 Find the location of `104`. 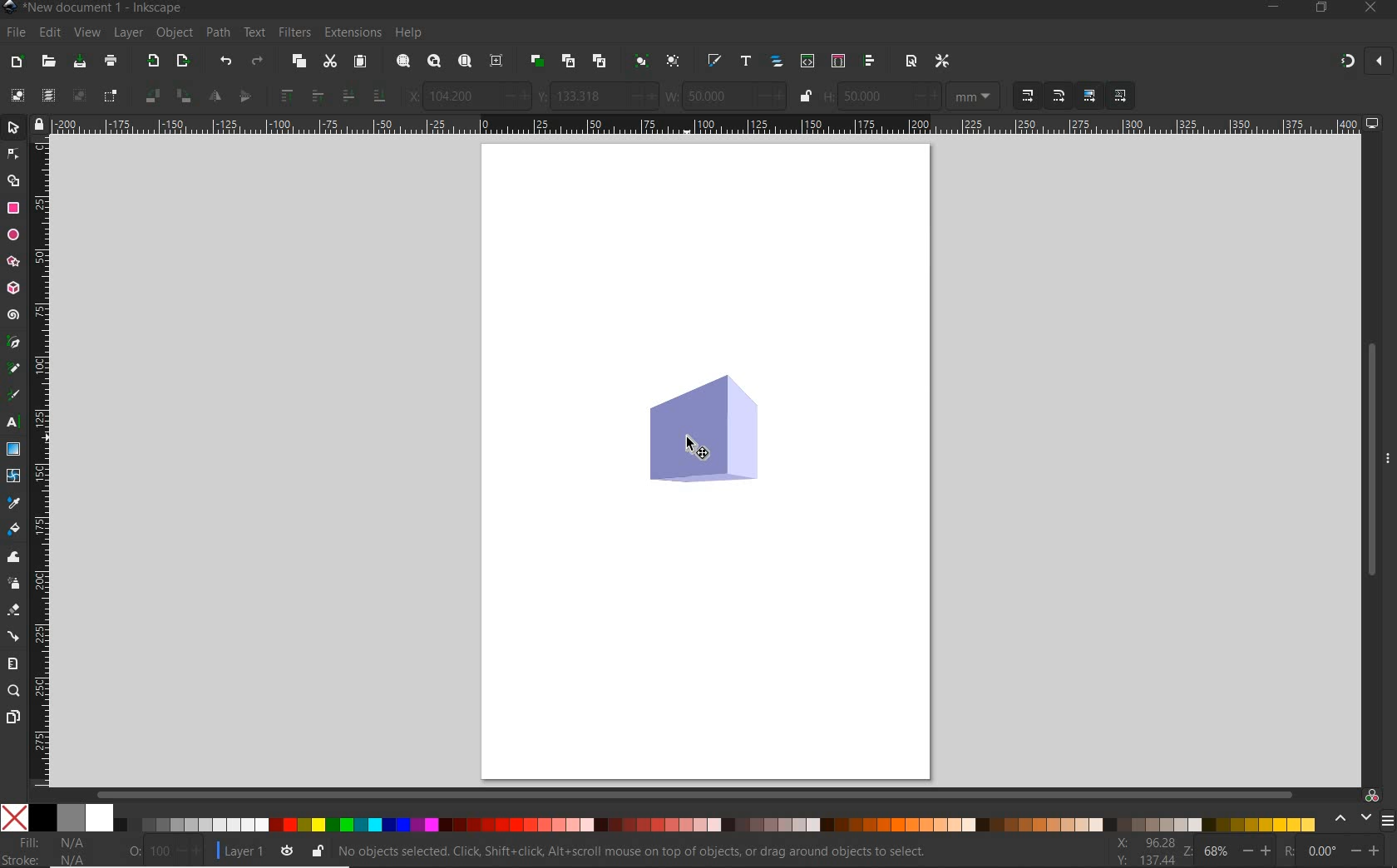

104 is located at coordinates (462, 96).